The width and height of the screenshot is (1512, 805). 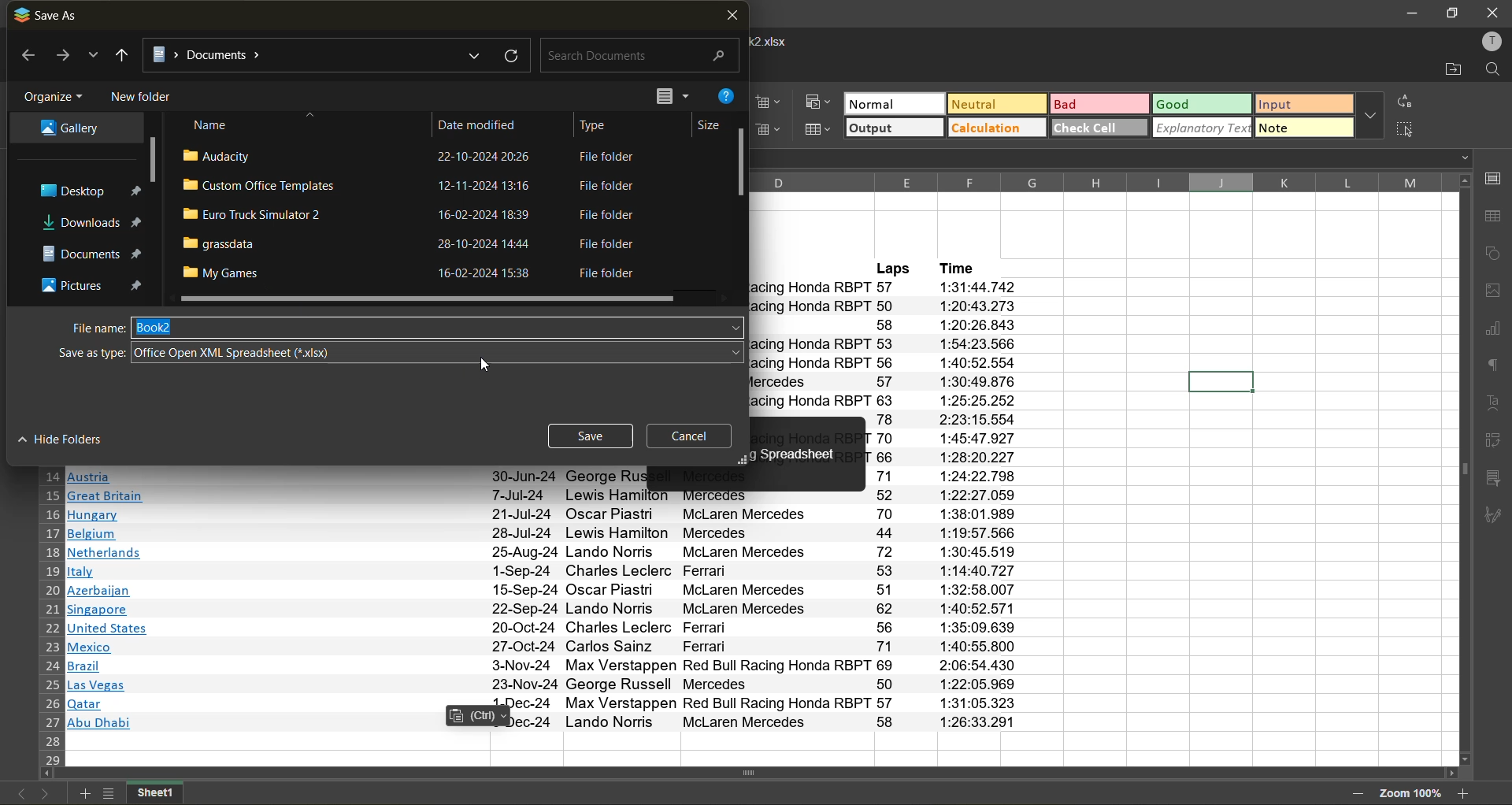 I want to click on previous, so click(x=18, y=795).